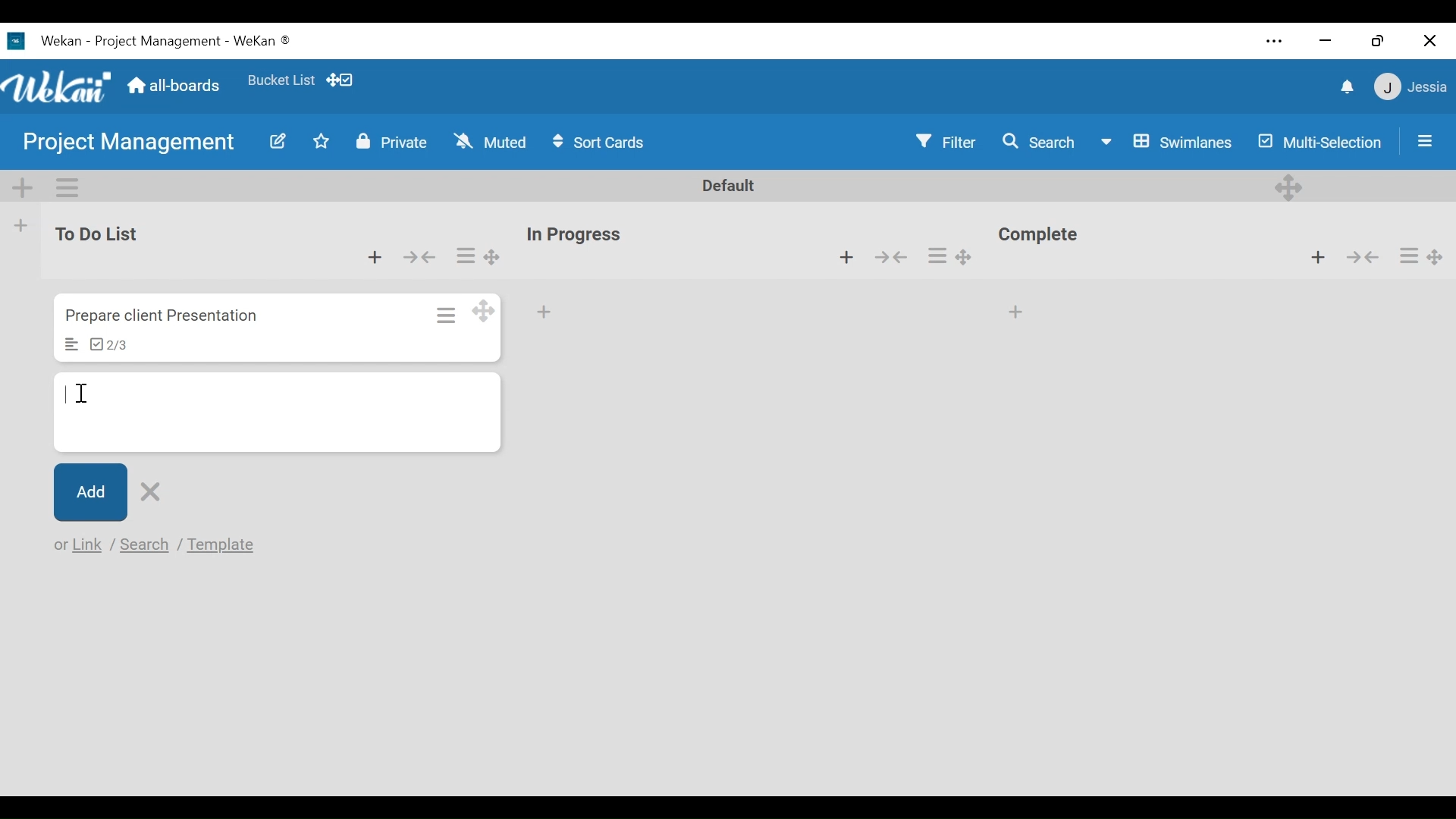 The width and height of the screenshot is (1456, 819). What do you see at coordinates (947, 142) in the screenshot?
I see `Filter` at bounding box center [947, 142].